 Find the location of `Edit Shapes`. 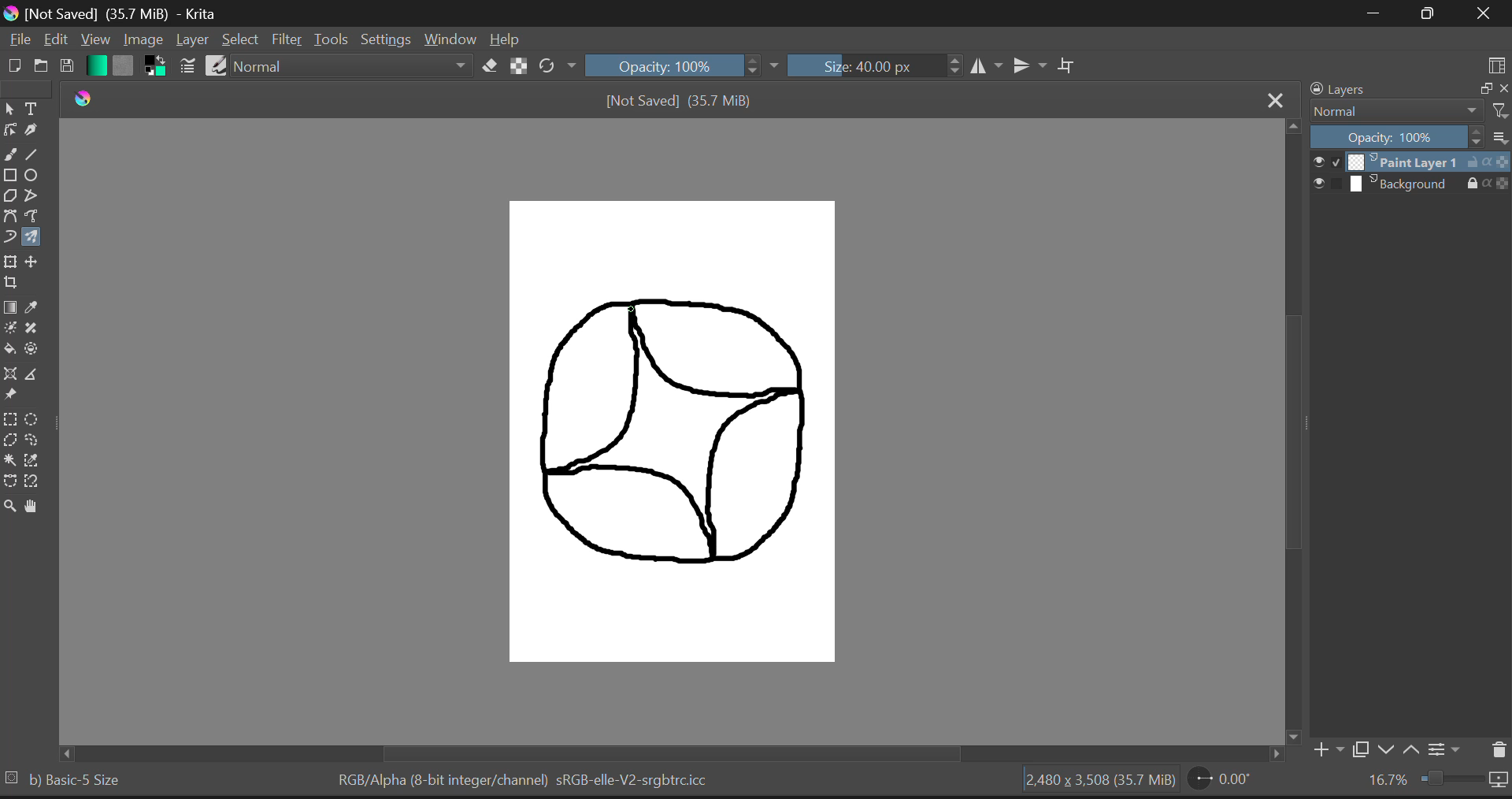

Edit Shapes is located at coordinates (10, 130).